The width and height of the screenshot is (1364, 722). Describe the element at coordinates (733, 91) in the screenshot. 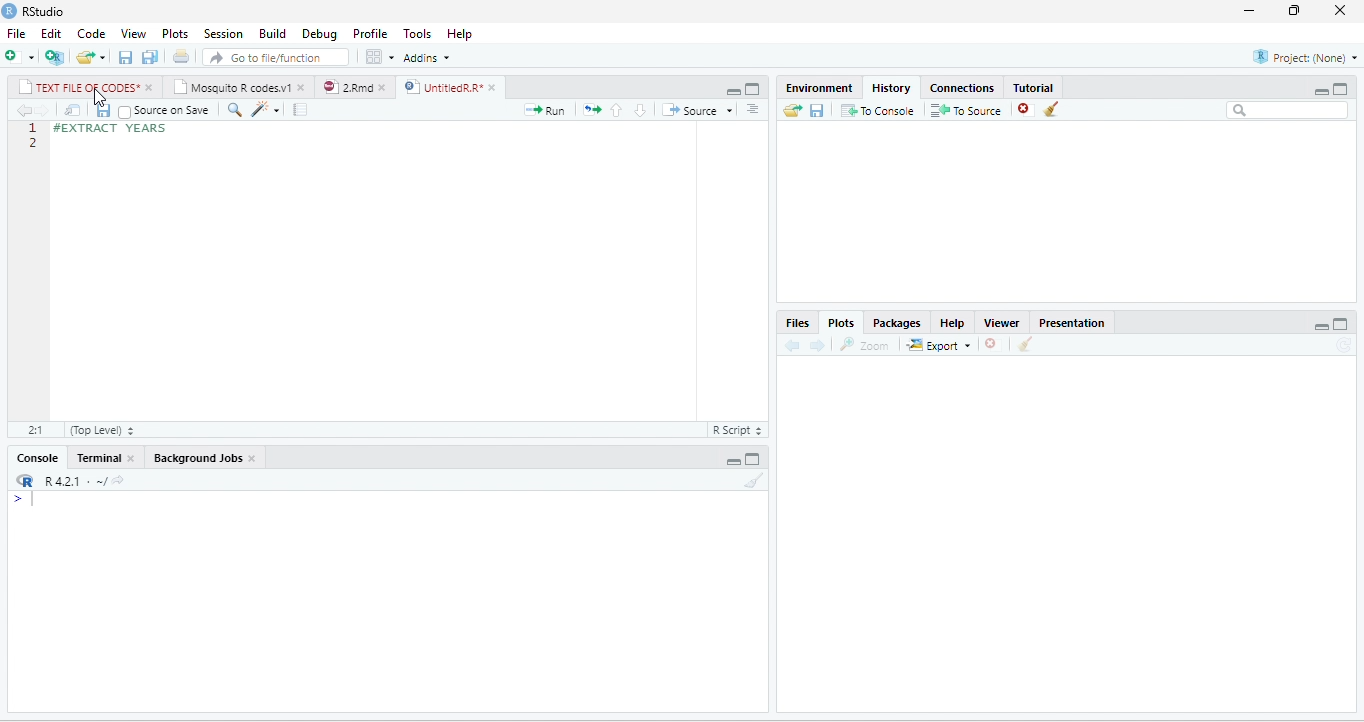

I see `minimize` at that location.